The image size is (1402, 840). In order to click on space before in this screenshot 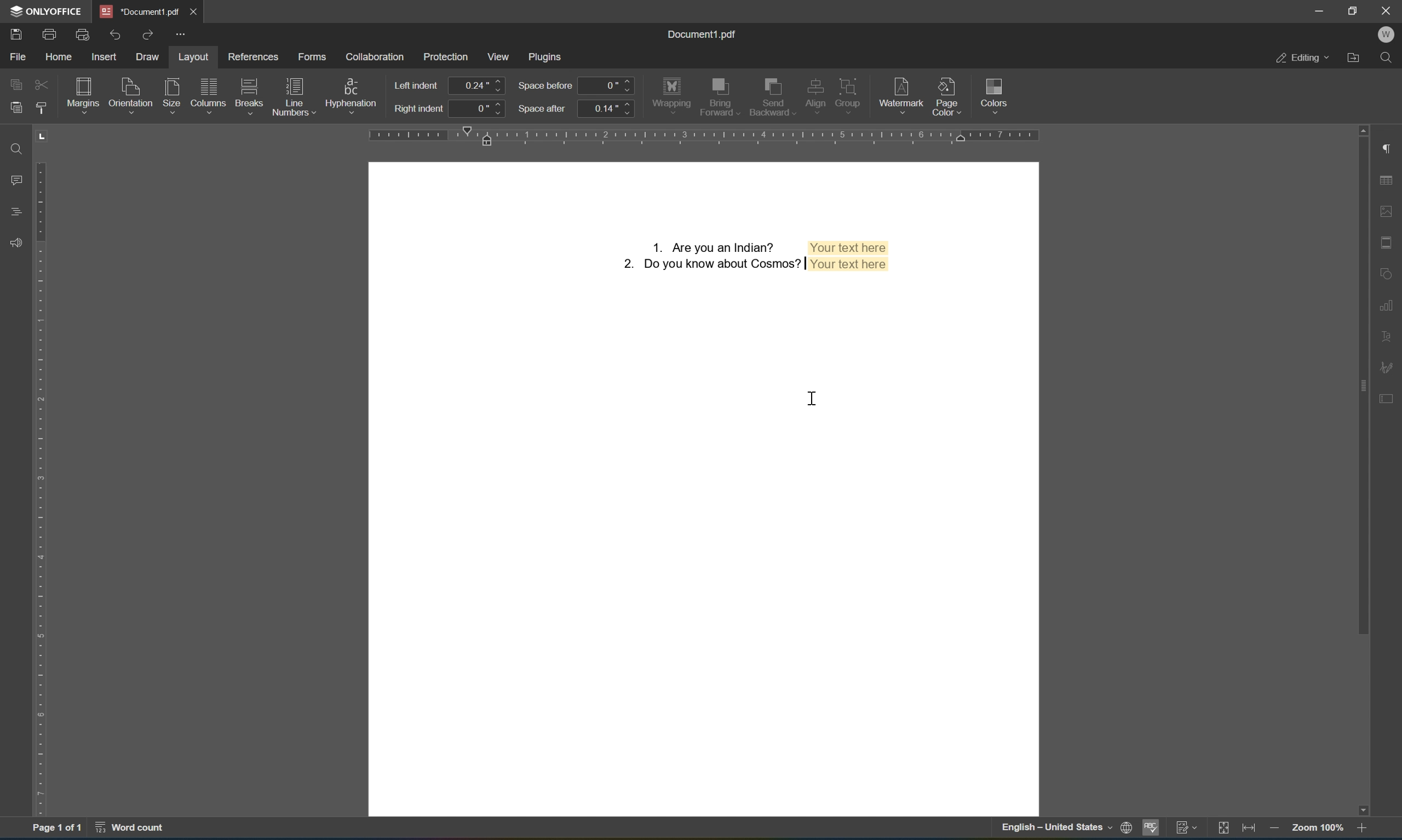, I will do `click(546, 87)`.